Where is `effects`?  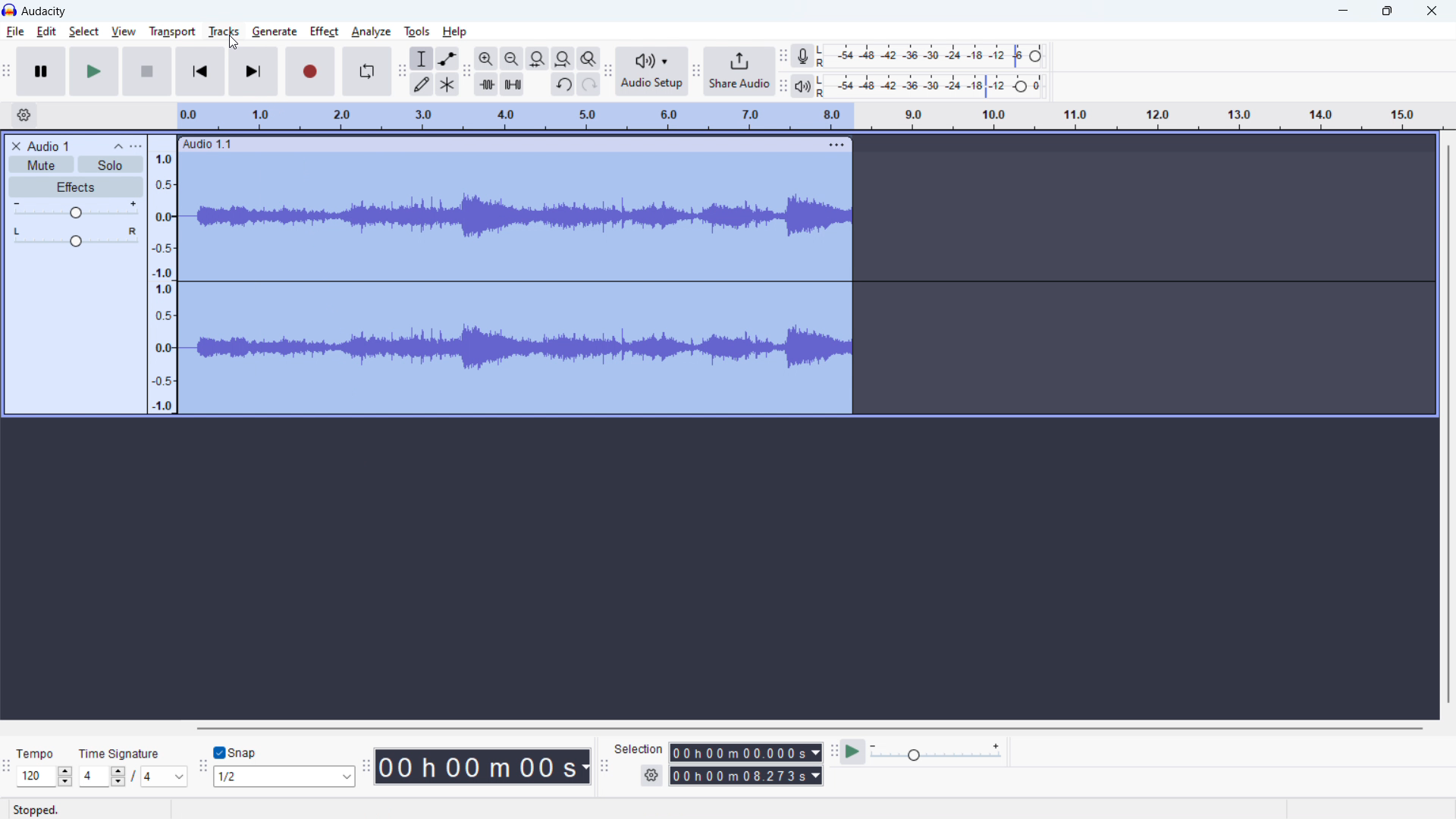 effects is located at coordinates (77, 187).